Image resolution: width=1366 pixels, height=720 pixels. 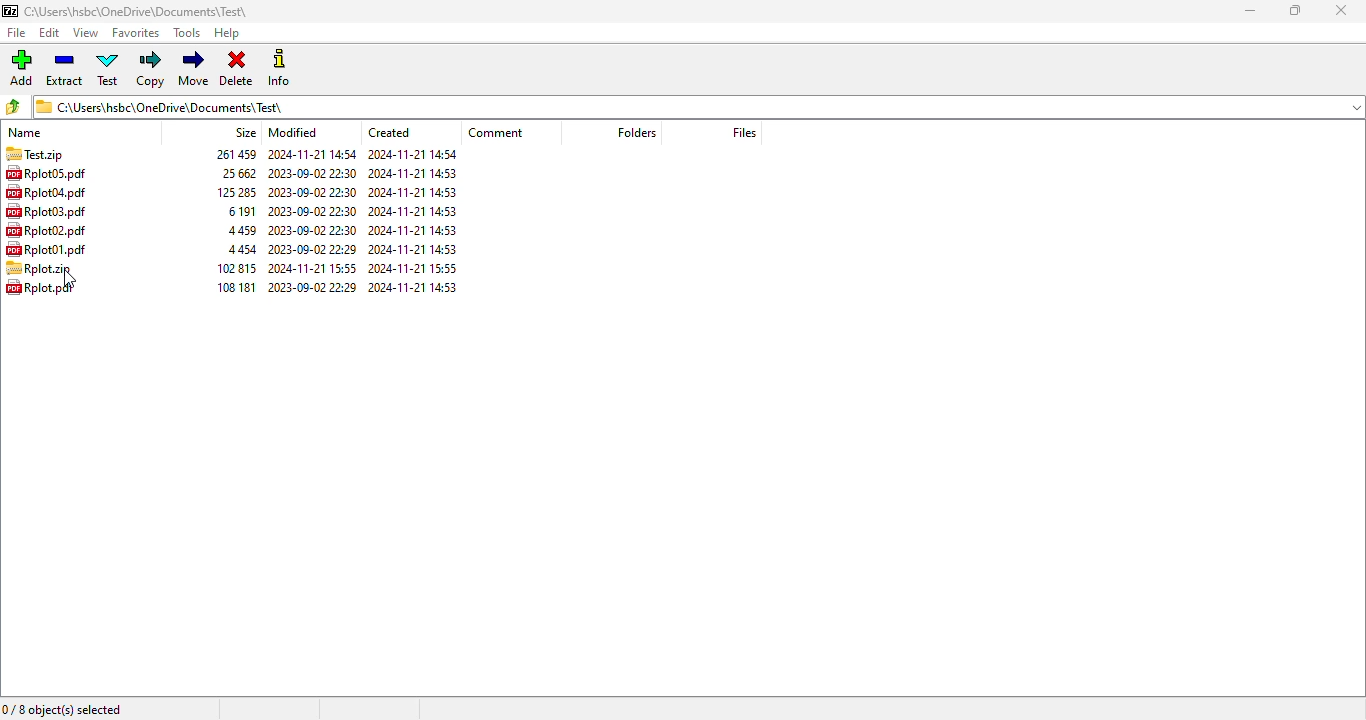 I want to click on Rplot01.pdf, so click(x=45, y=249).